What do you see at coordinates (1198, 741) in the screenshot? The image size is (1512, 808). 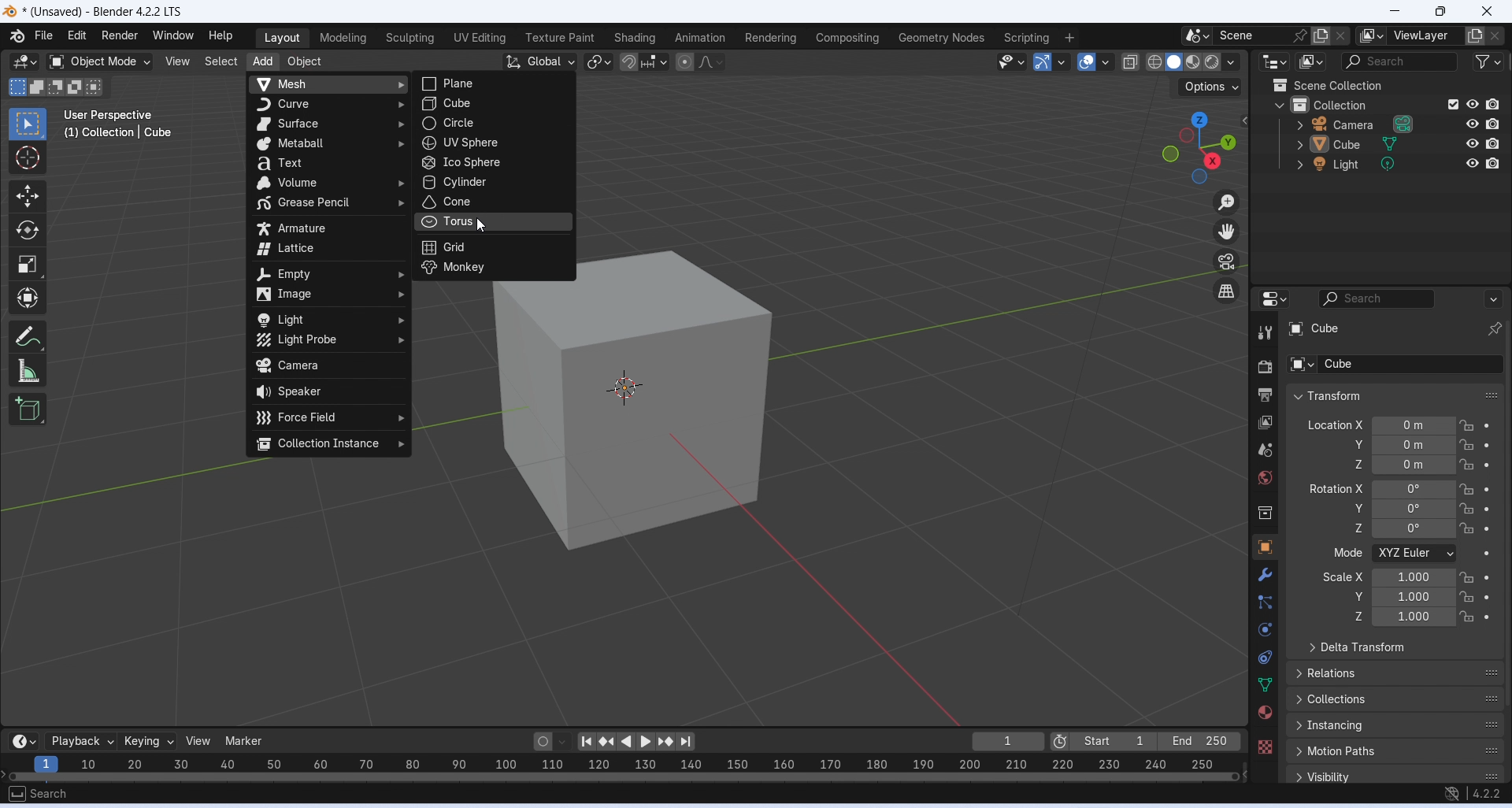 I see `End 250` at bounding box center [1198, 741].